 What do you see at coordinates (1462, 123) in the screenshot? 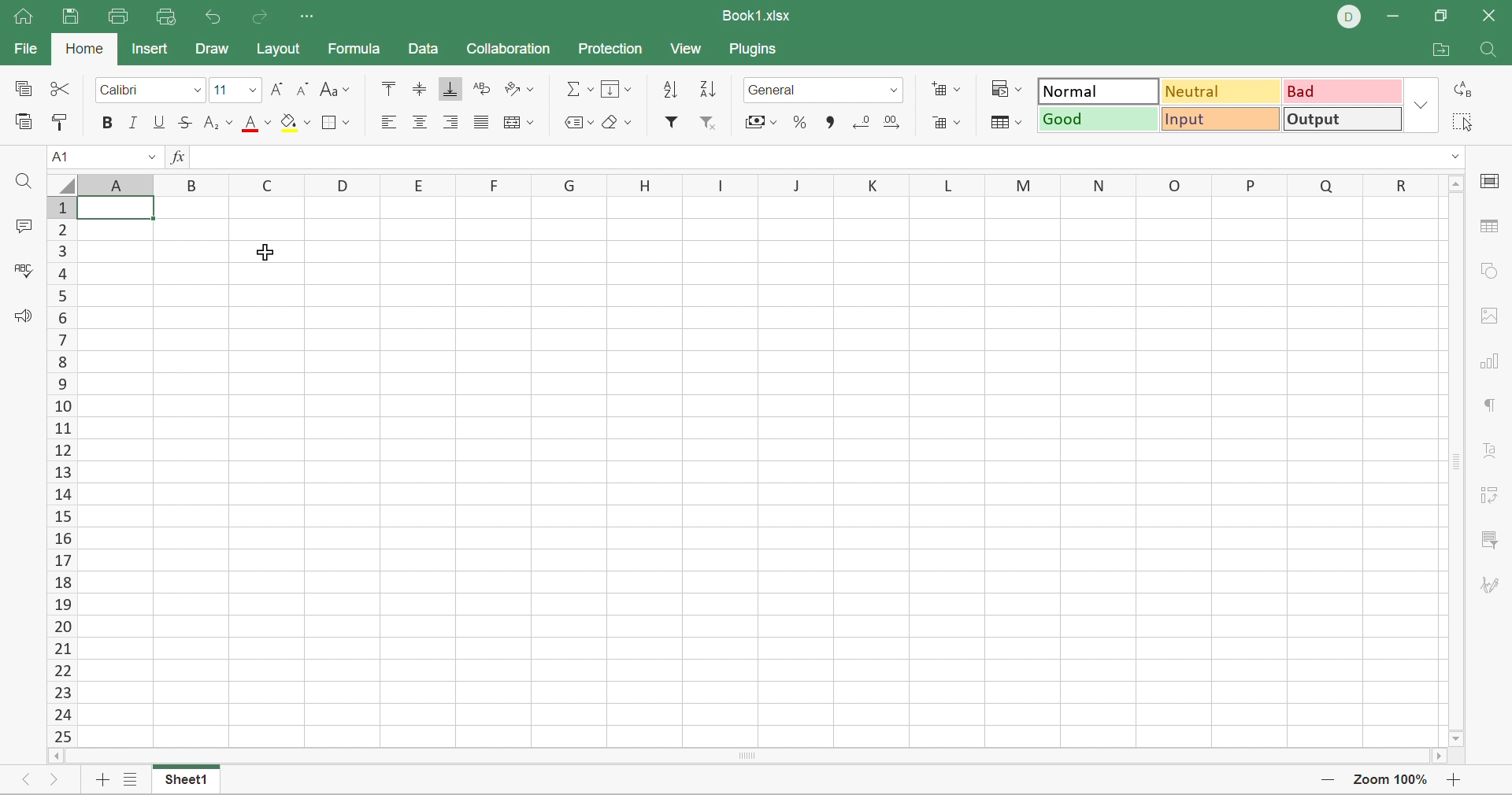
I see `Select all` at bounding box center [1462, 123].